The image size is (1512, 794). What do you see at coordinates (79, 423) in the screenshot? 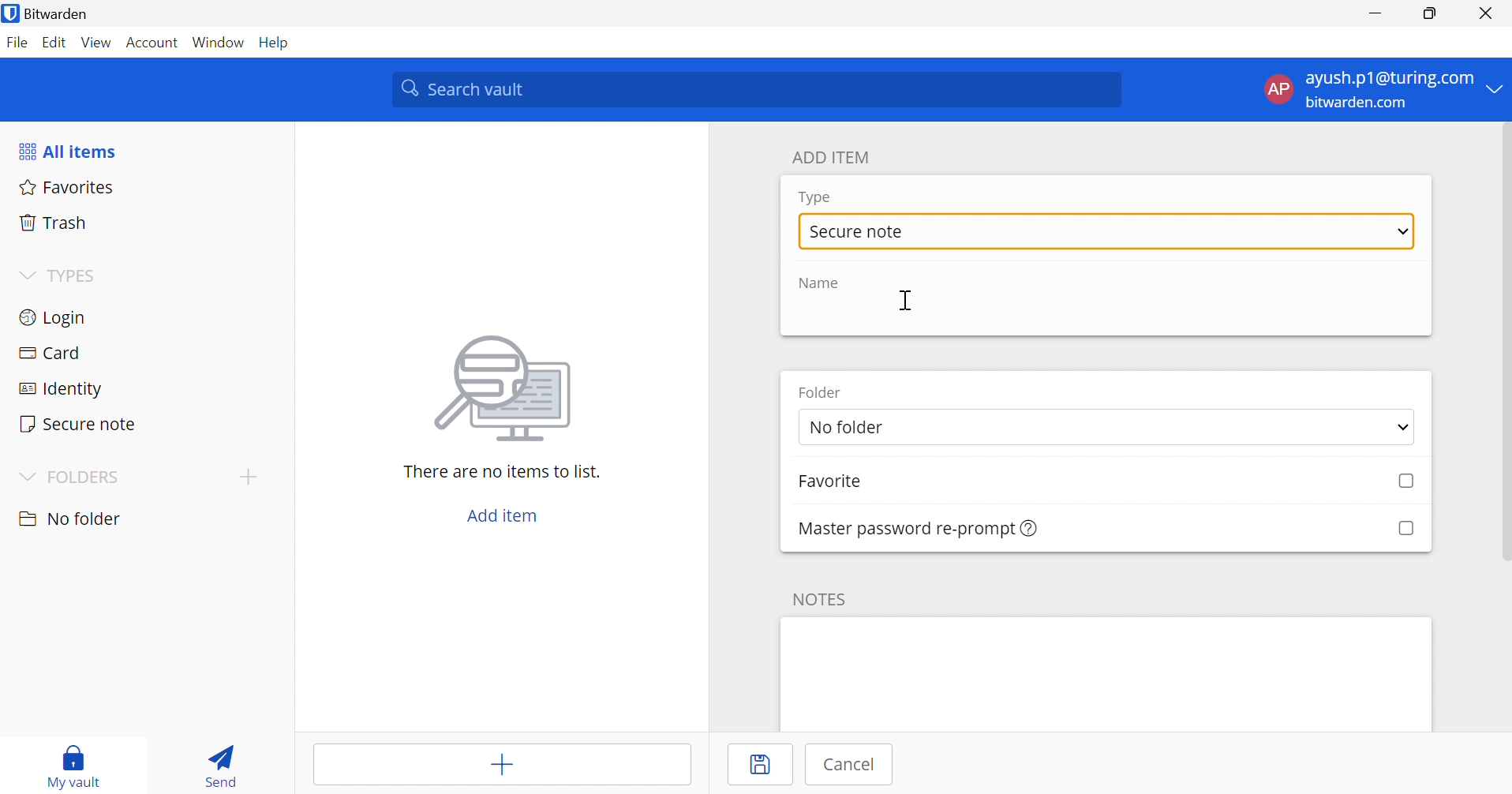
I see `Secure note` at bounding box center [79, 423].